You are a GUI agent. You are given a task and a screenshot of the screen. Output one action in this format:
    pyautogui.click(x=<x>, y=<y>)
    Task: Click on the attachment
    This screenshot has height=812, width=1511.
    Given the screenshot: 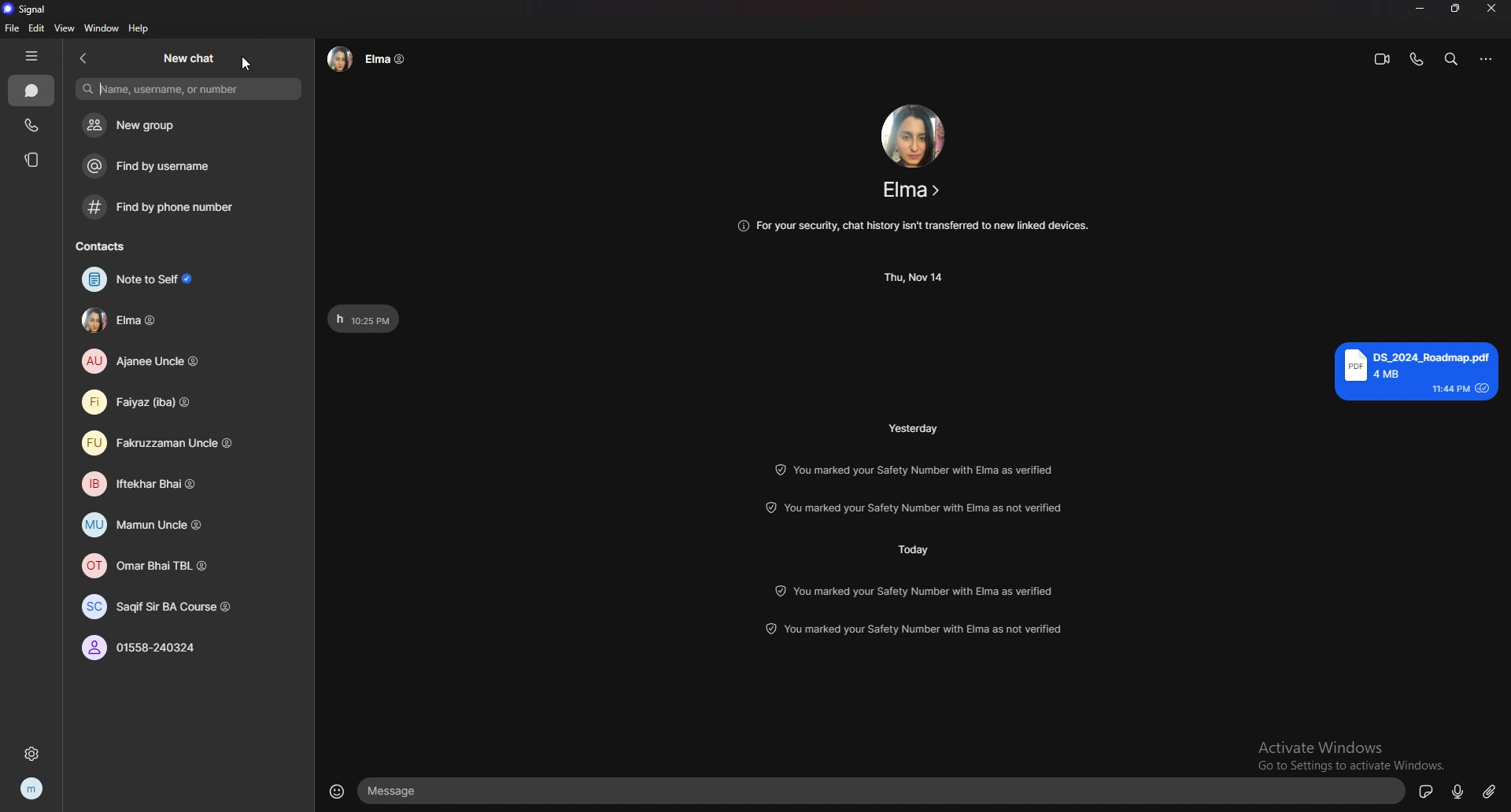 What is the action you would take?
    pyautogui.click(x=1489, y=791)
    